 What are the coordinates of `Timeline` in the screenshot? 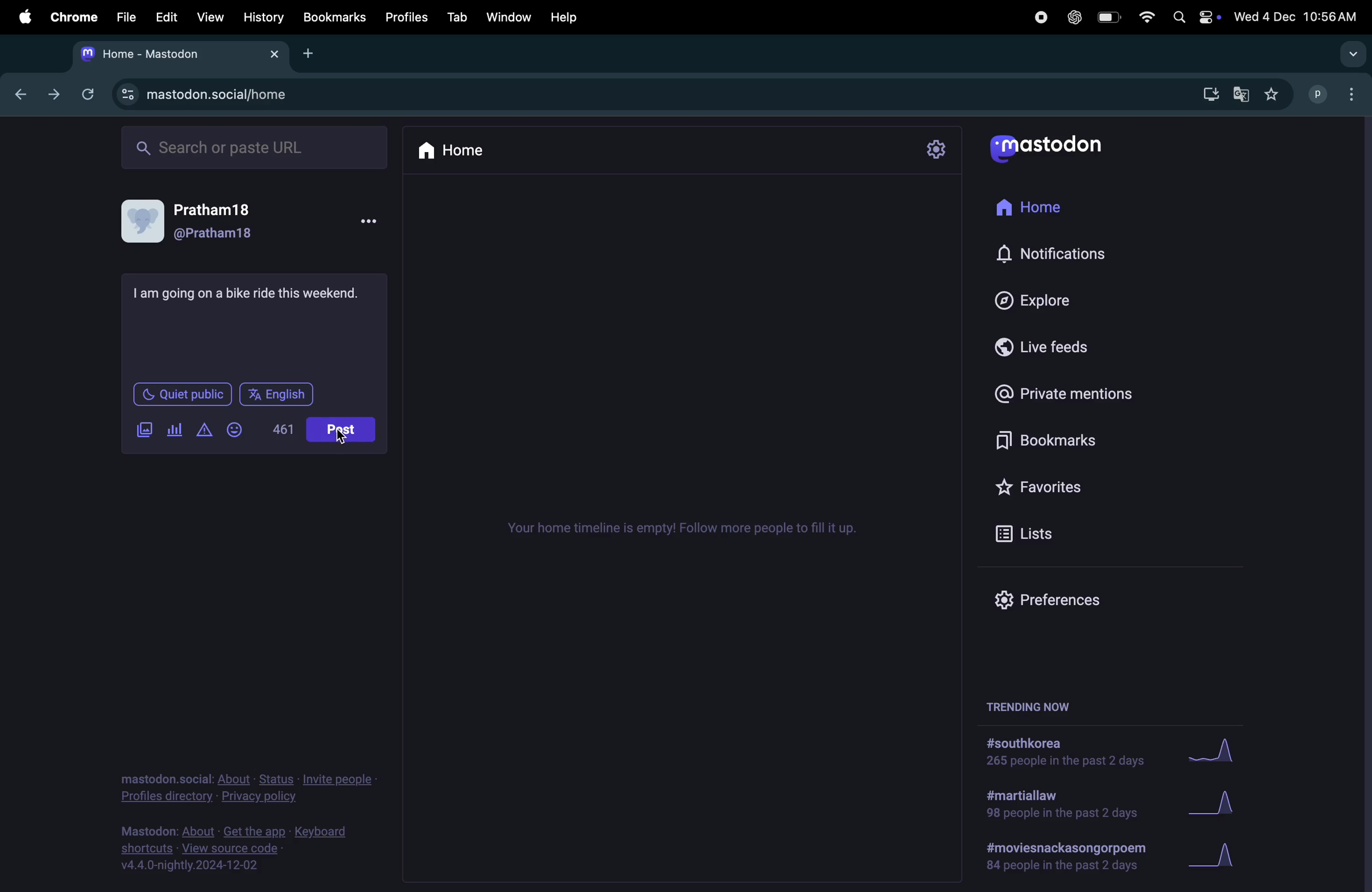 It's located at (687, 530).